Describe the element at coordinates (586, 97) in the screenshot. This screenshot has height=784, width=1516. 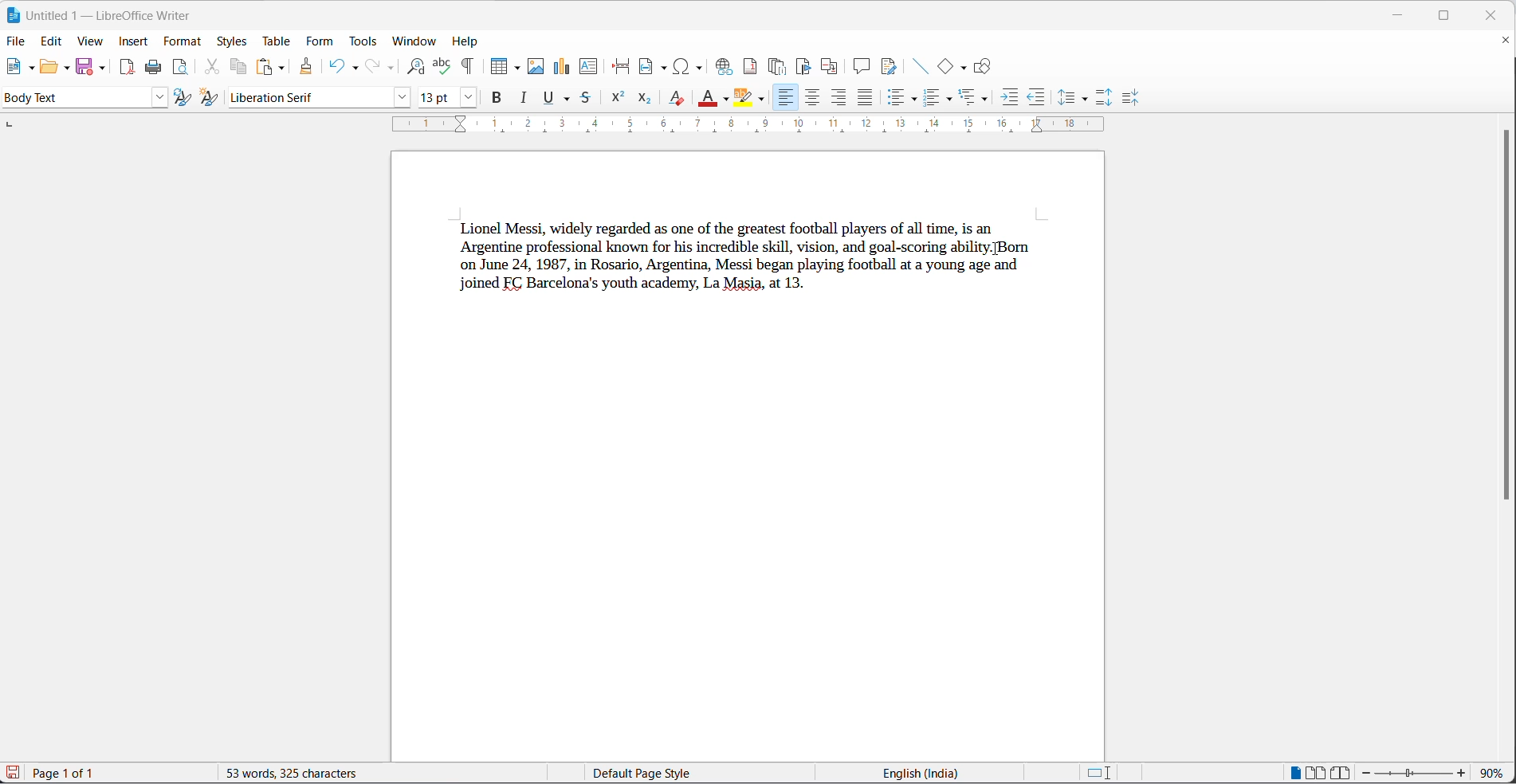
I see `strike through` at that location.